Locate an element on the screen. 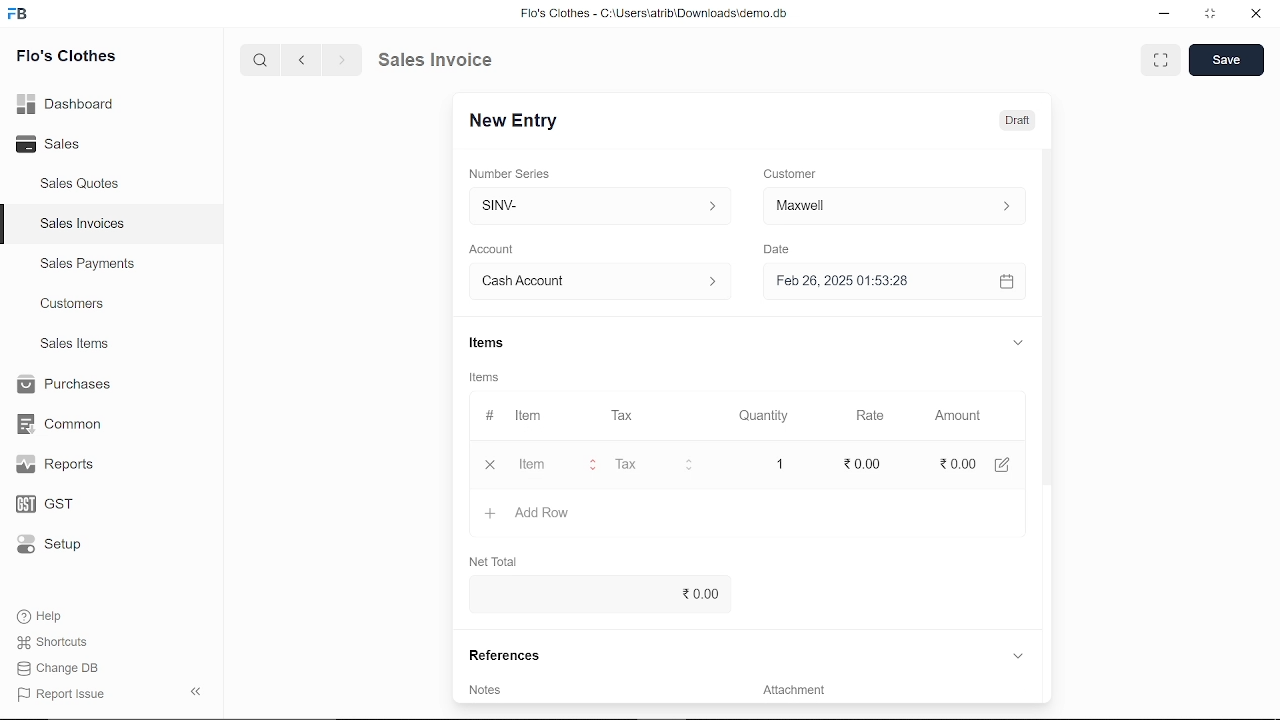 The height and width of the screenshot is (720, 1280). Customers. is located at coordinates (73, 304).